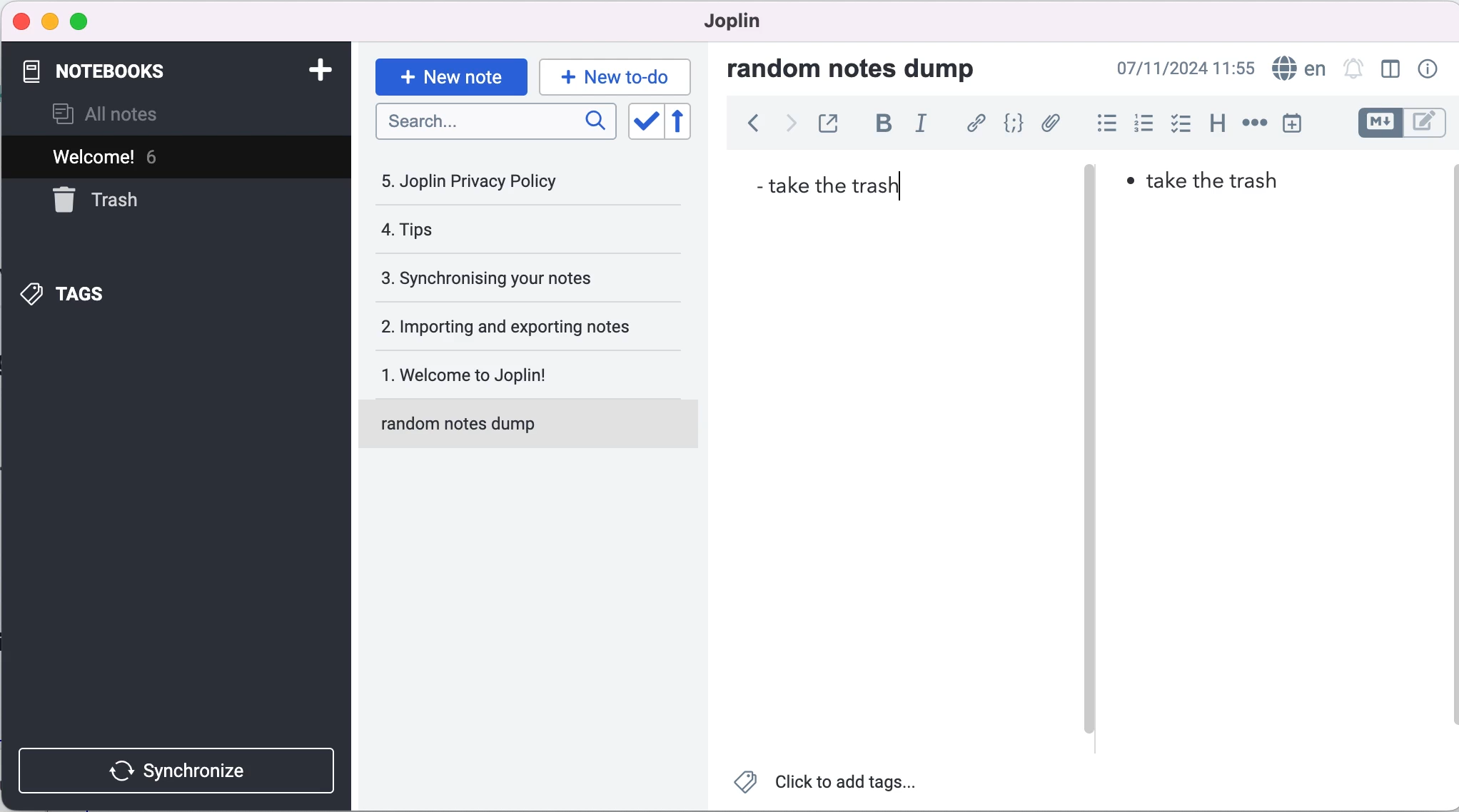 The image size is (1459, 812). I want to click on bulleted list, so click(1101, 123).